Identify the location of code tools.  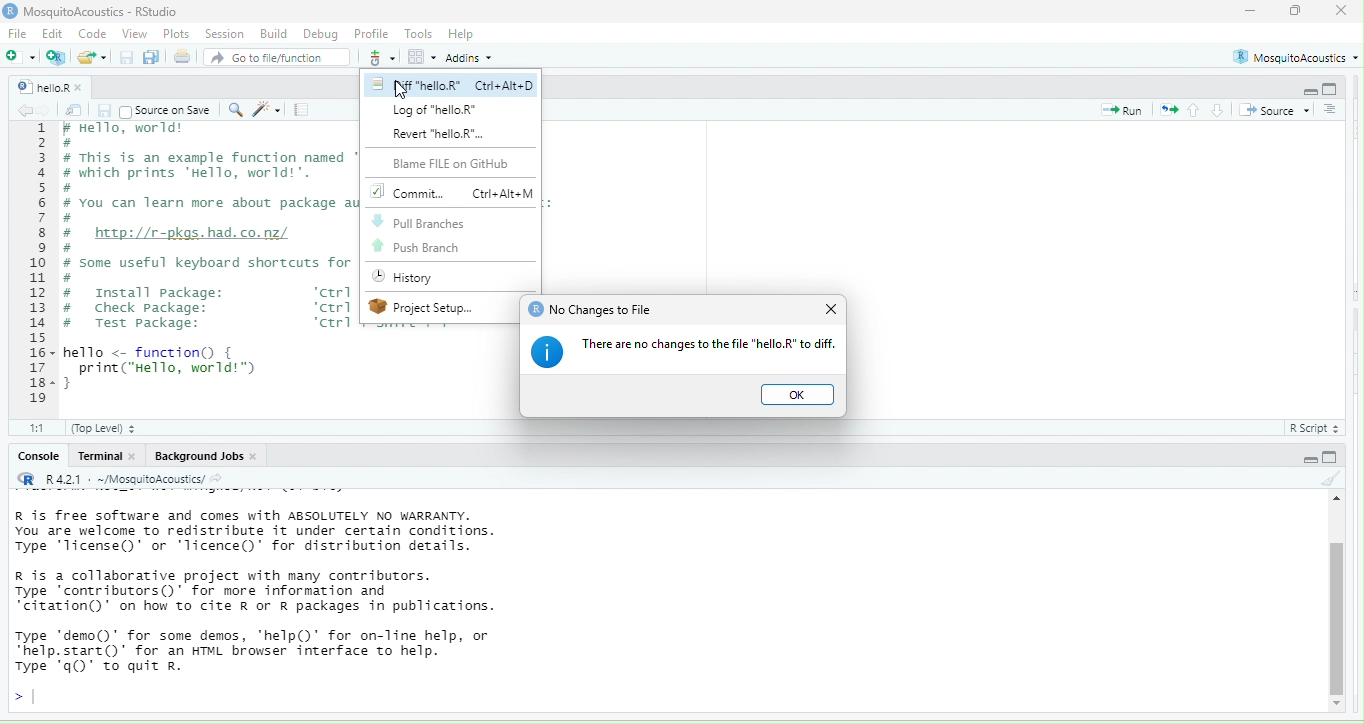
(269, 111).